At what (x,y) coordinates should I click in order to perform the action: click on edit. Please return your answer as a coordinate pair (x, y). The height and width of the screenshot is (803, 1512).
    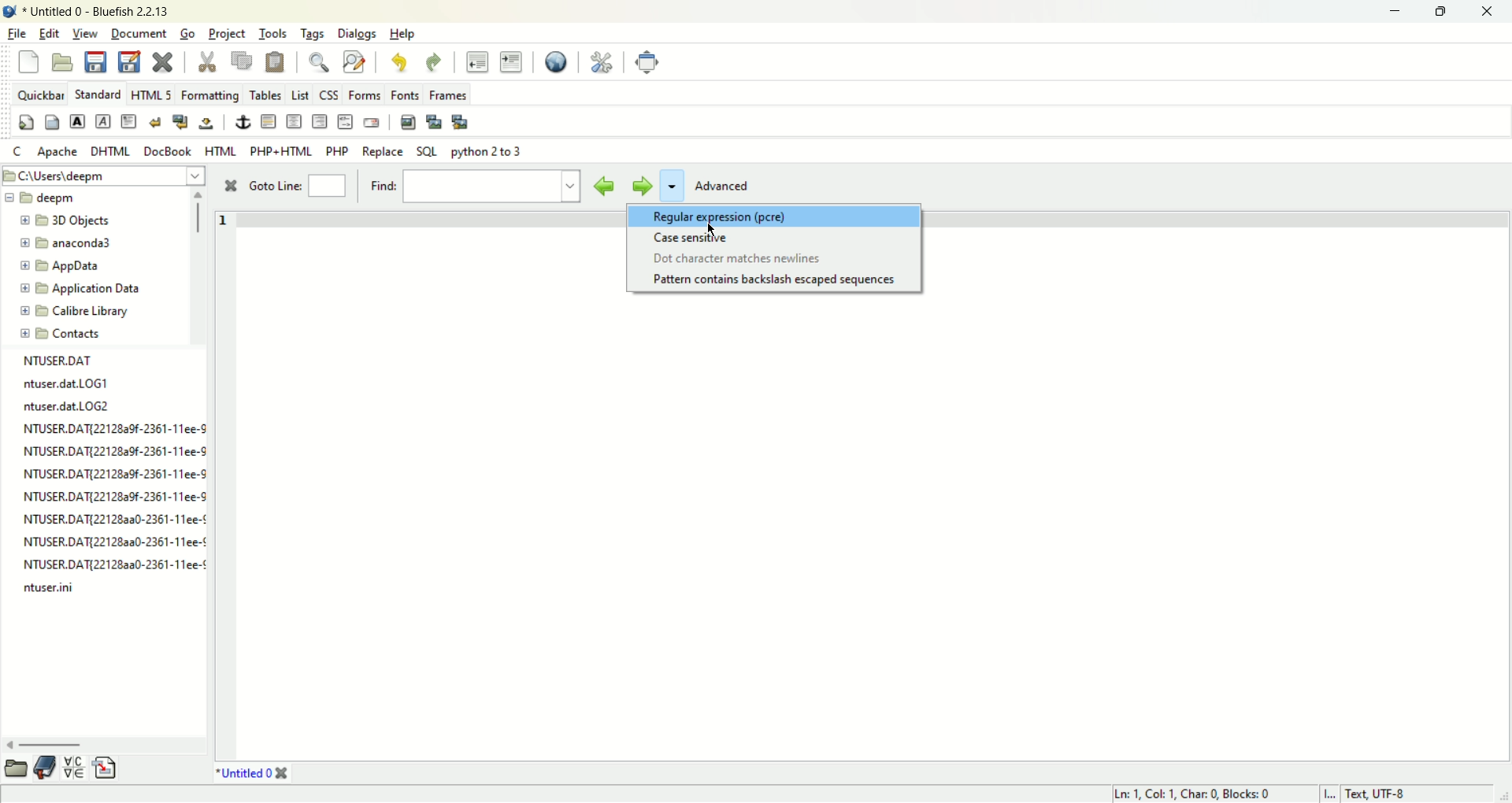
    Looking at the image, I should click on (49, 33).